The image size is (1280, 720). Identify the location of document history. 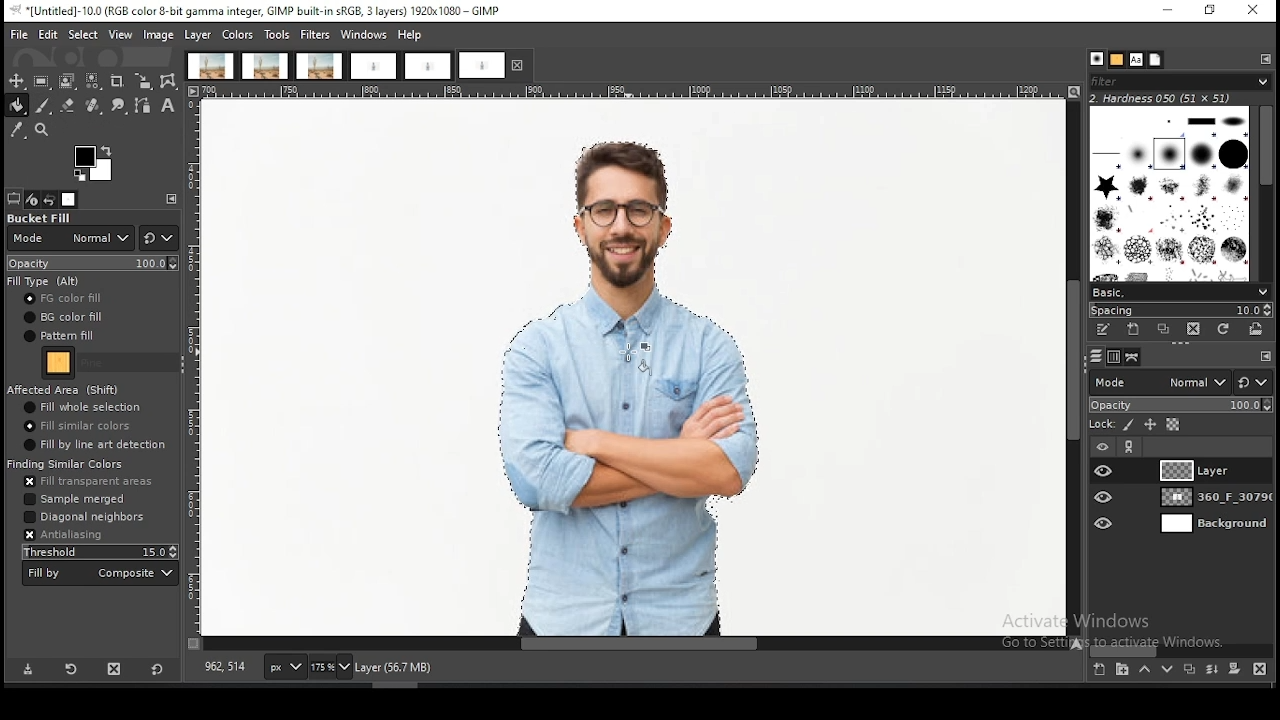
(1156, 59).